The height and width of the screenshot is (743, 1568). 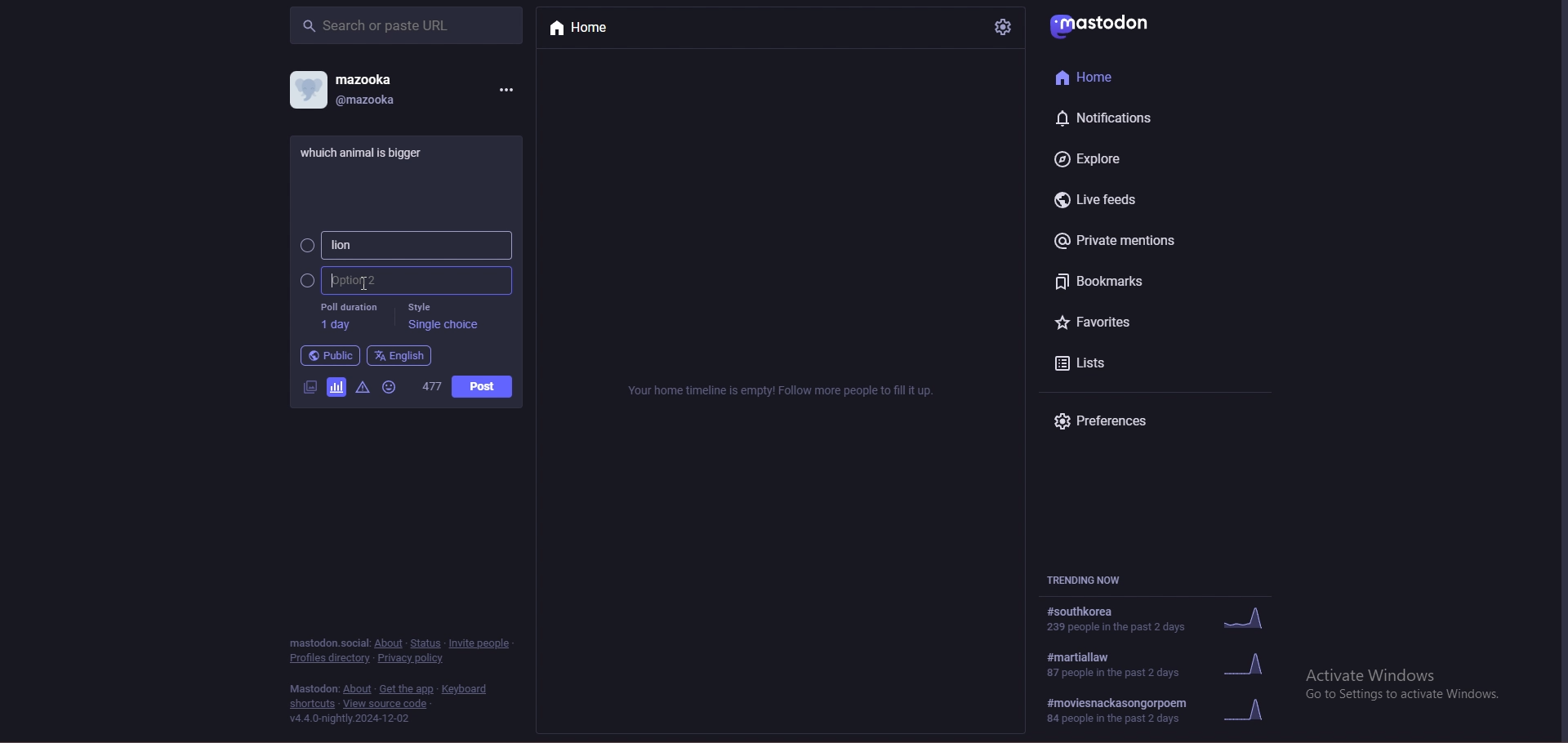 I want to click on trending now, so click(x=1097, y=581).